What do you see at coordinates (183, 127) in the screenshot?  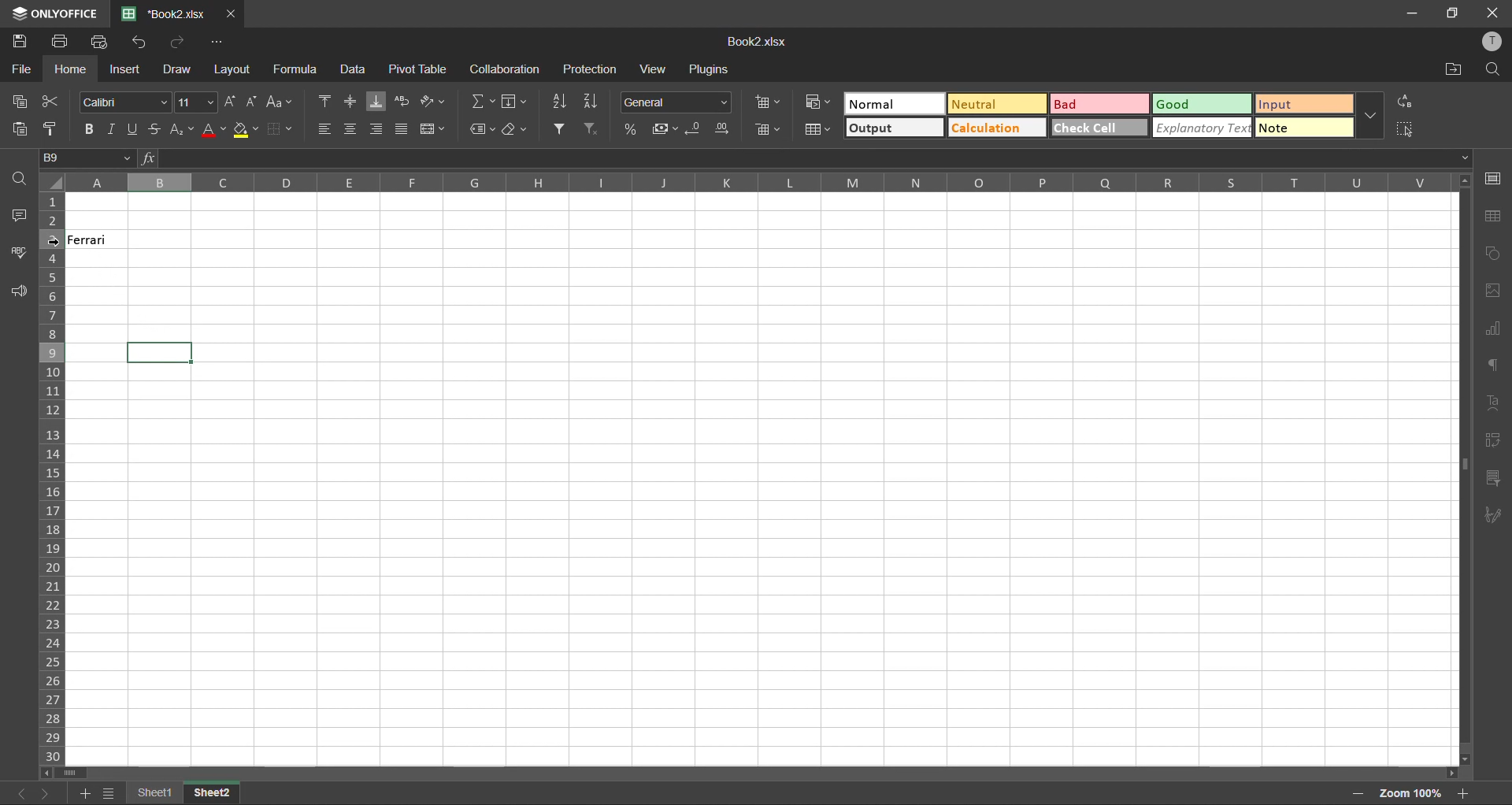 I see `sub/superscript` at bounding box center [183, 127].